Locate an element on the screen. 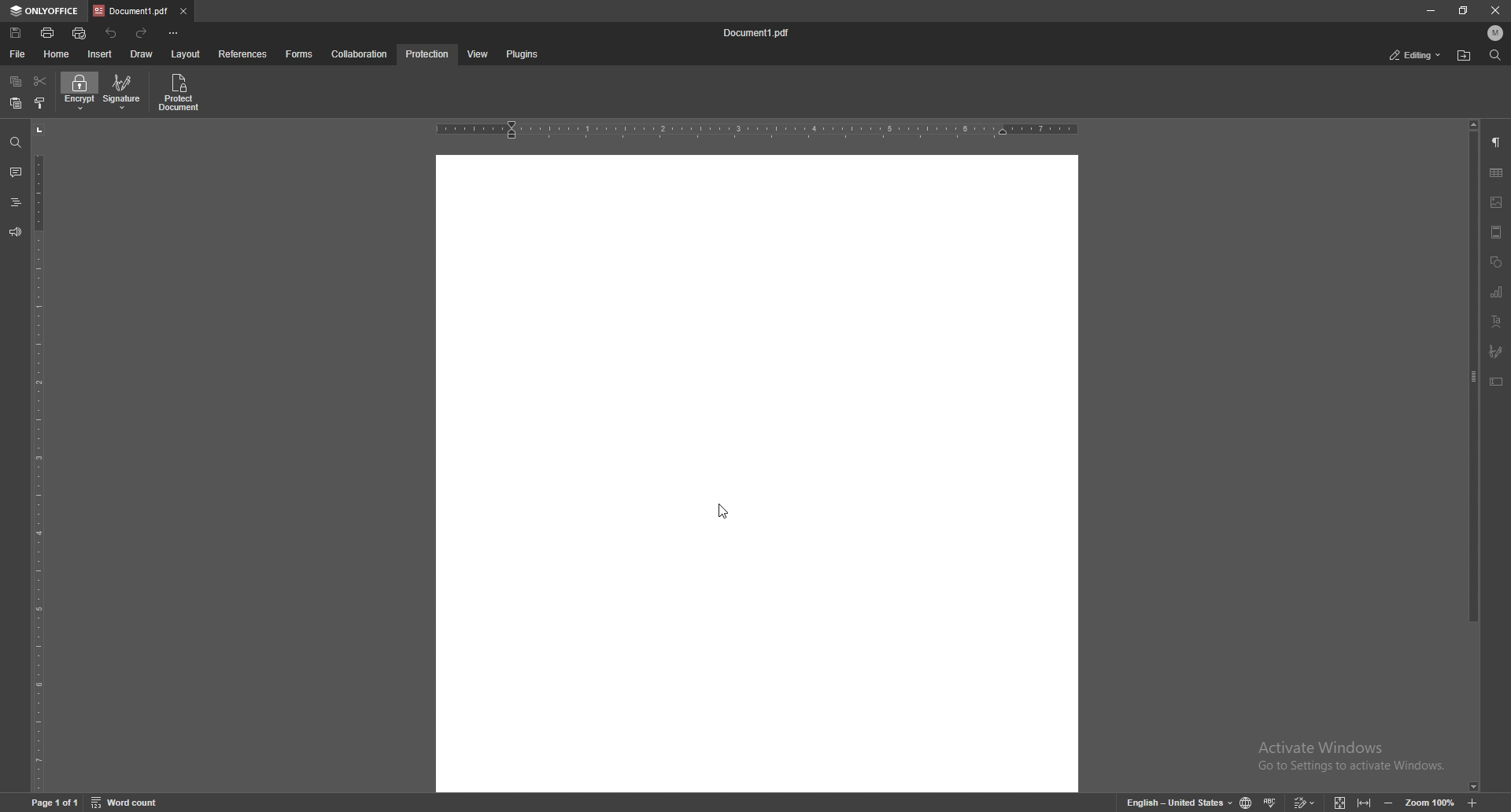 The height and width of the screenshot is (812, 1511). resize is located at coordinates (1465, 11).